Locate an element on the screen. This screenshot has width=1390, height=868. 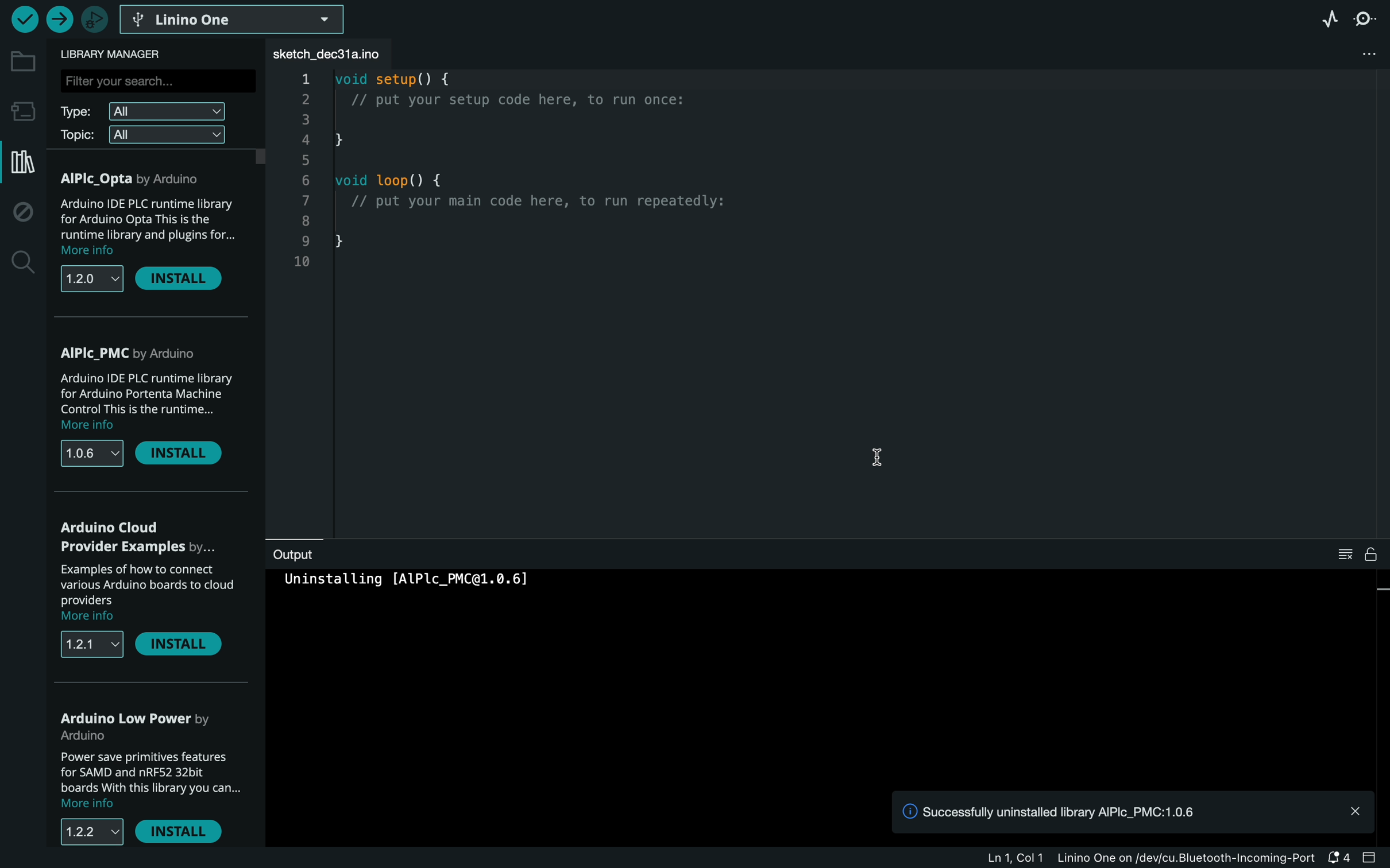
uninstalling is located at coordinates (416, 587).